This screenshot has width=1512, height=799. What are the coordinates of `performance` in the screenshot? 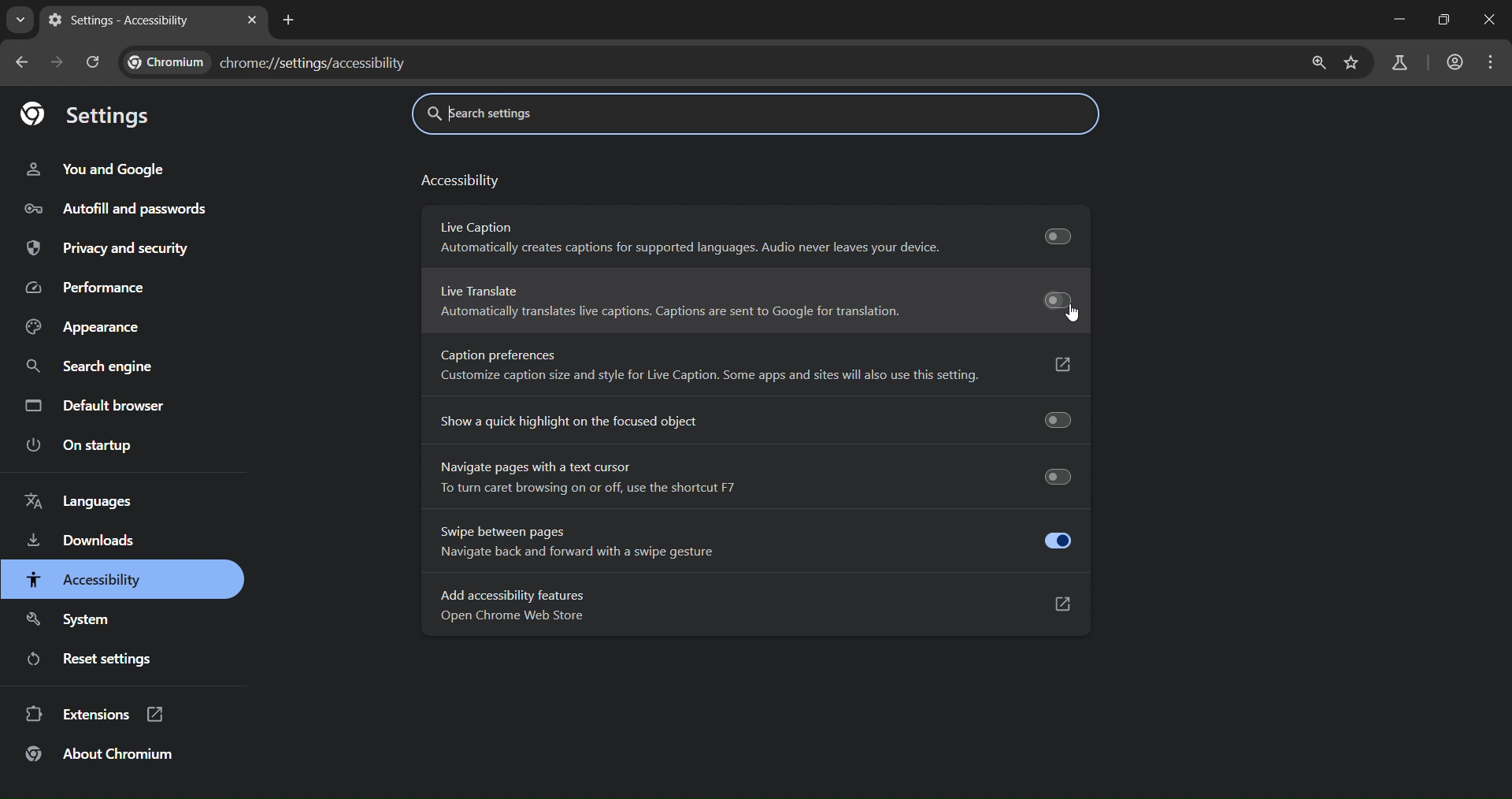 It's located at (88, 287).